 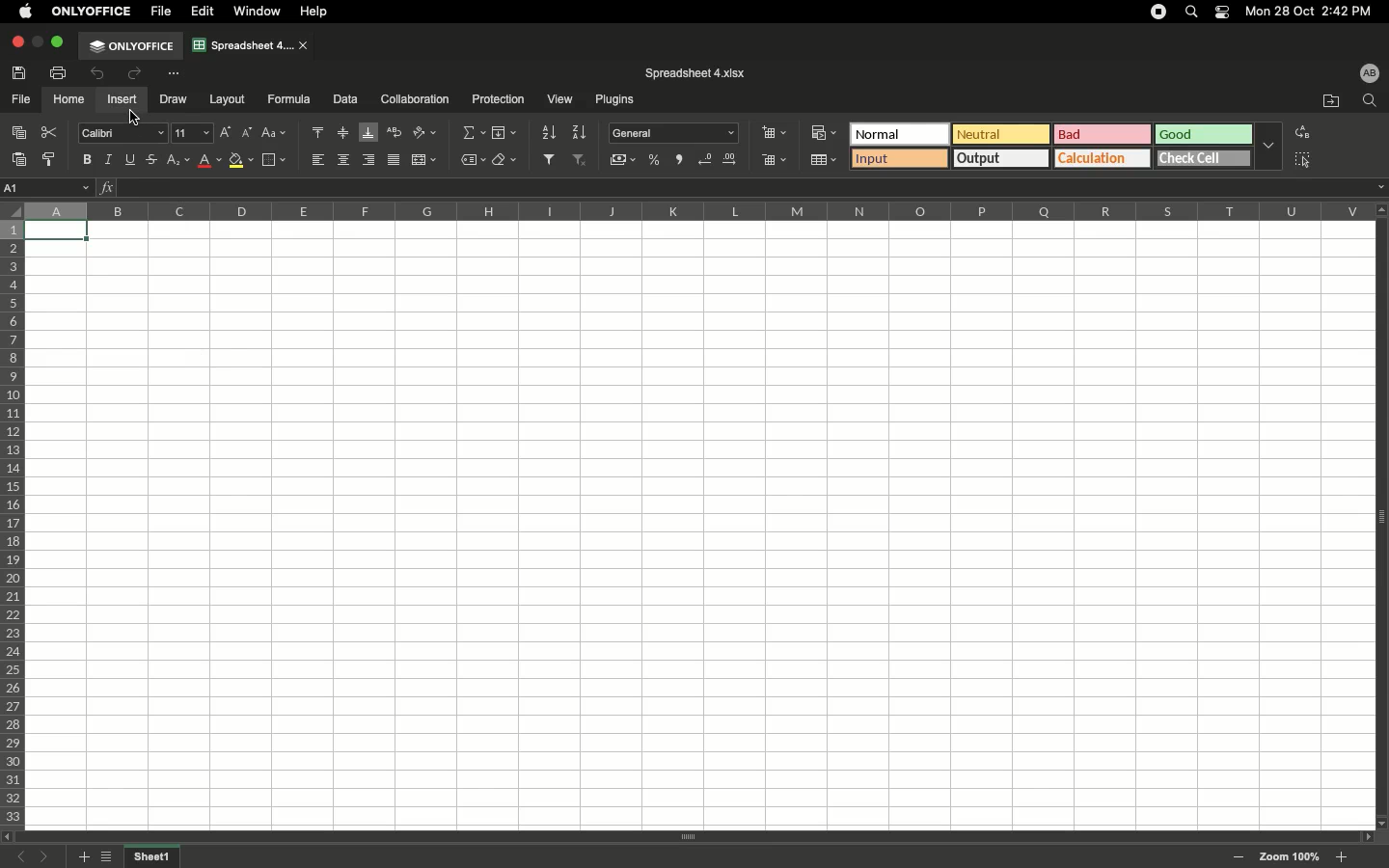 I want to click on Increase decimal, so click(x=733, y=160).